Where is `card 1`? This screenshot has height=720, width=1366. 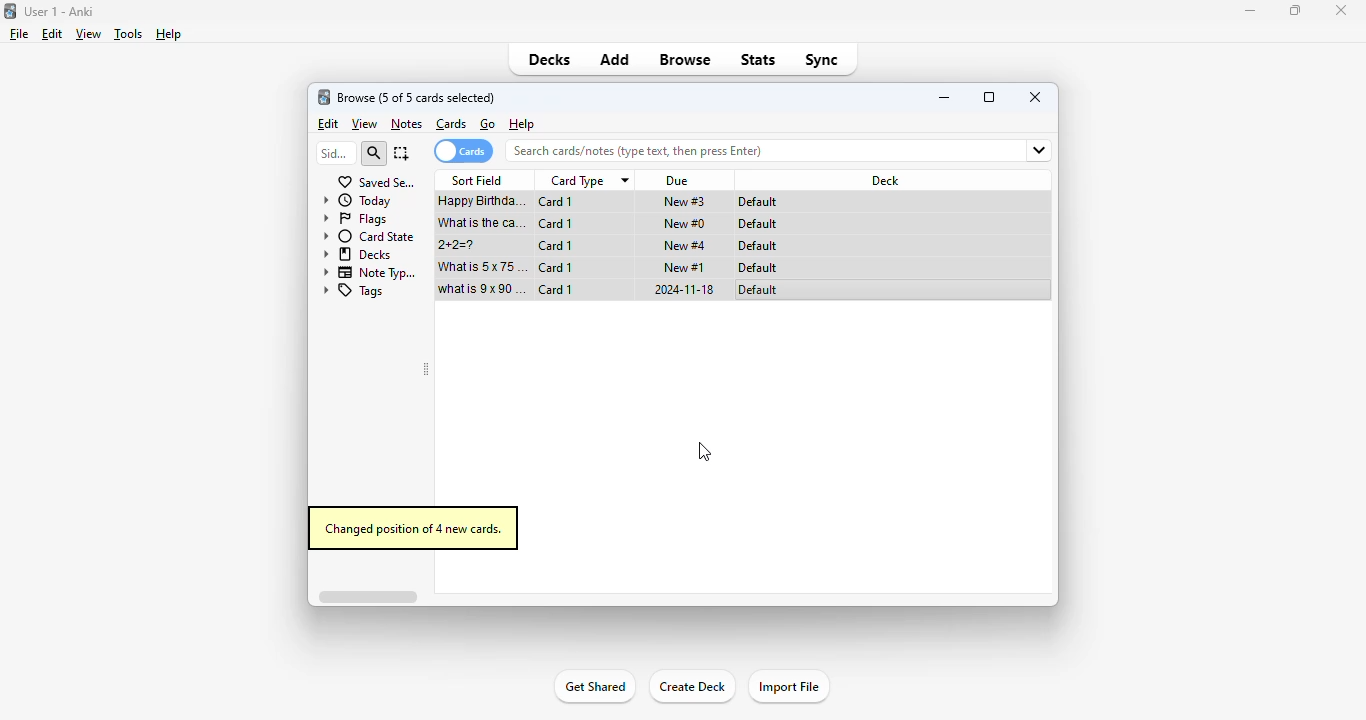
card 1 is located at coordinates (557, 202).